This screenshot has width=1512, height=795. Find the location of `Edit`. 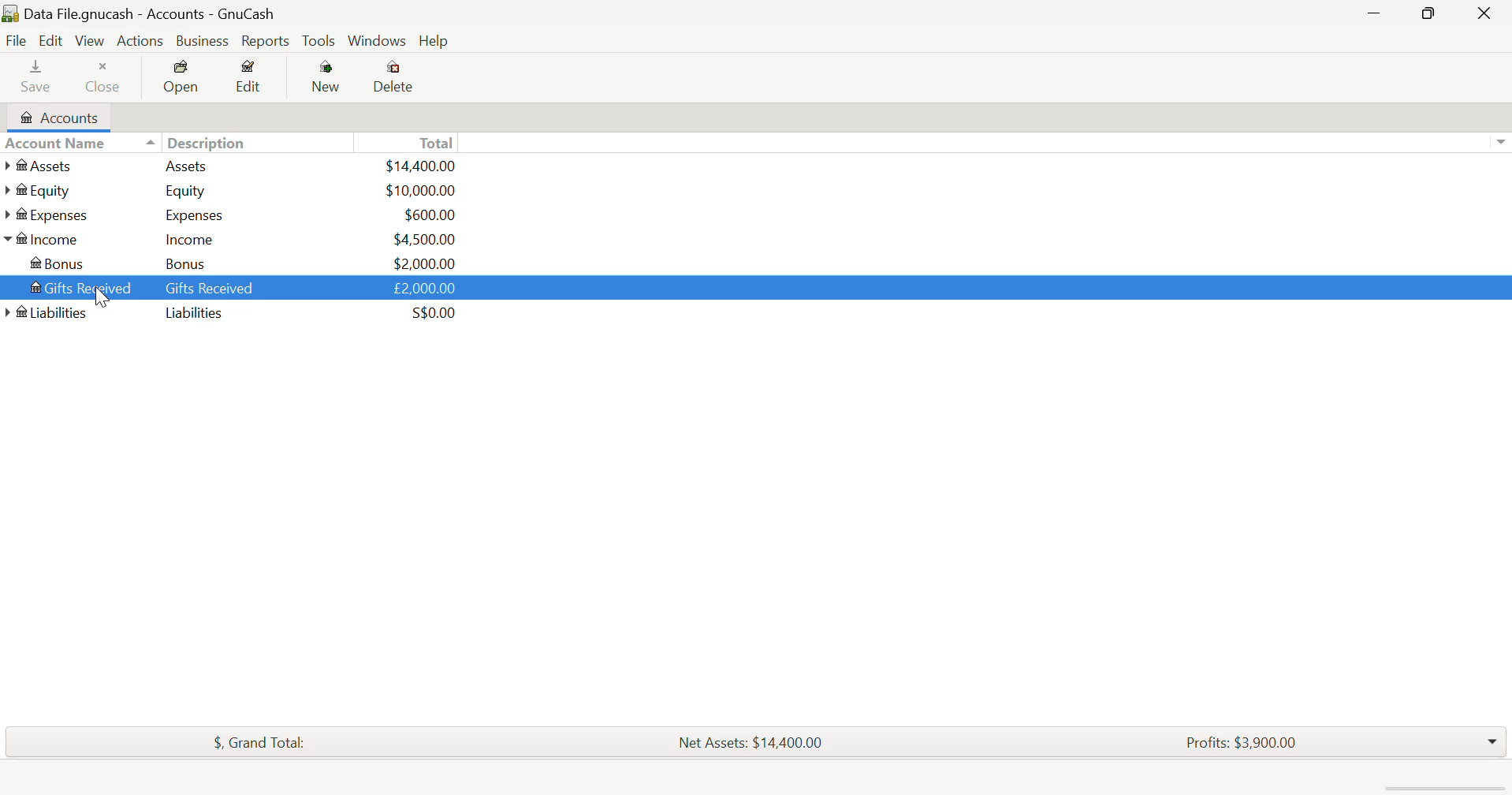

Edit is located at coordinates (54, 41).